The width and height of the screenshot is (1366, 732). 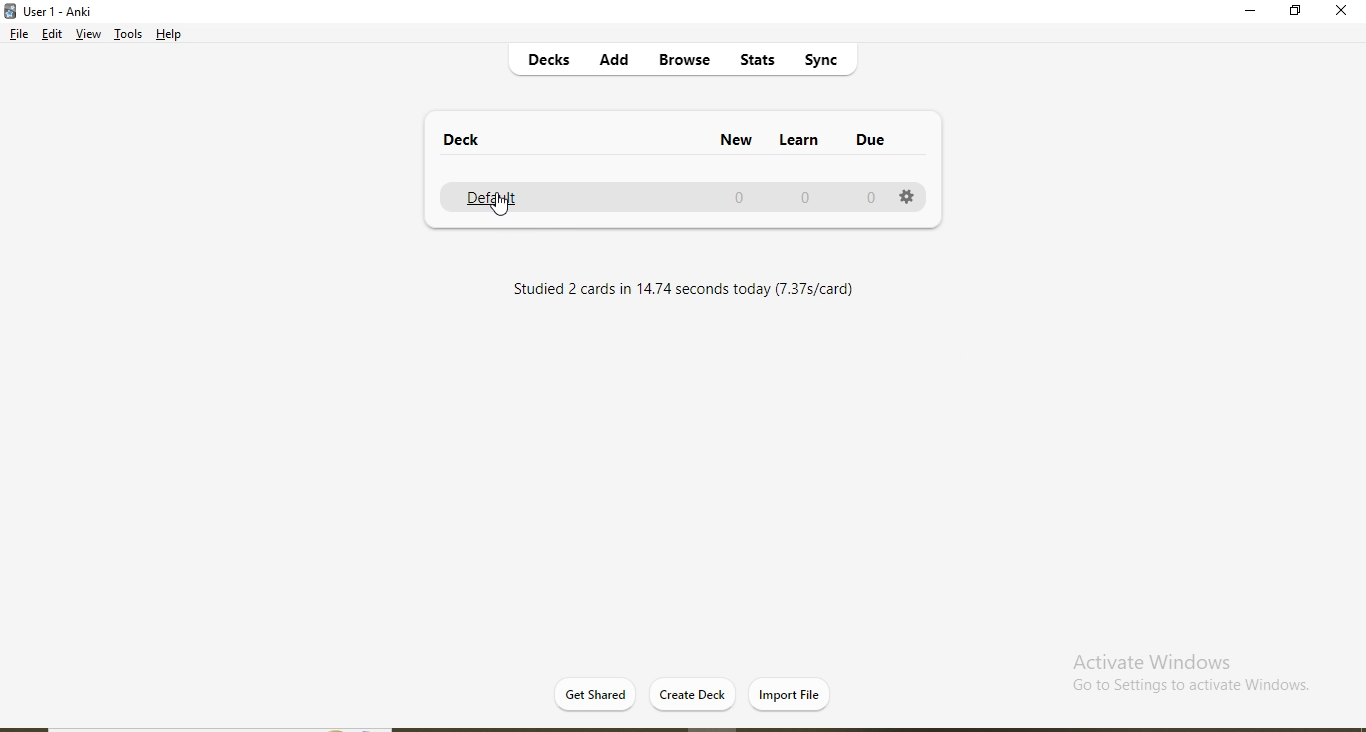 What do you see at coordinates (805, 197) in the screenshot?
I see `0` at bounding box center [805, 197].